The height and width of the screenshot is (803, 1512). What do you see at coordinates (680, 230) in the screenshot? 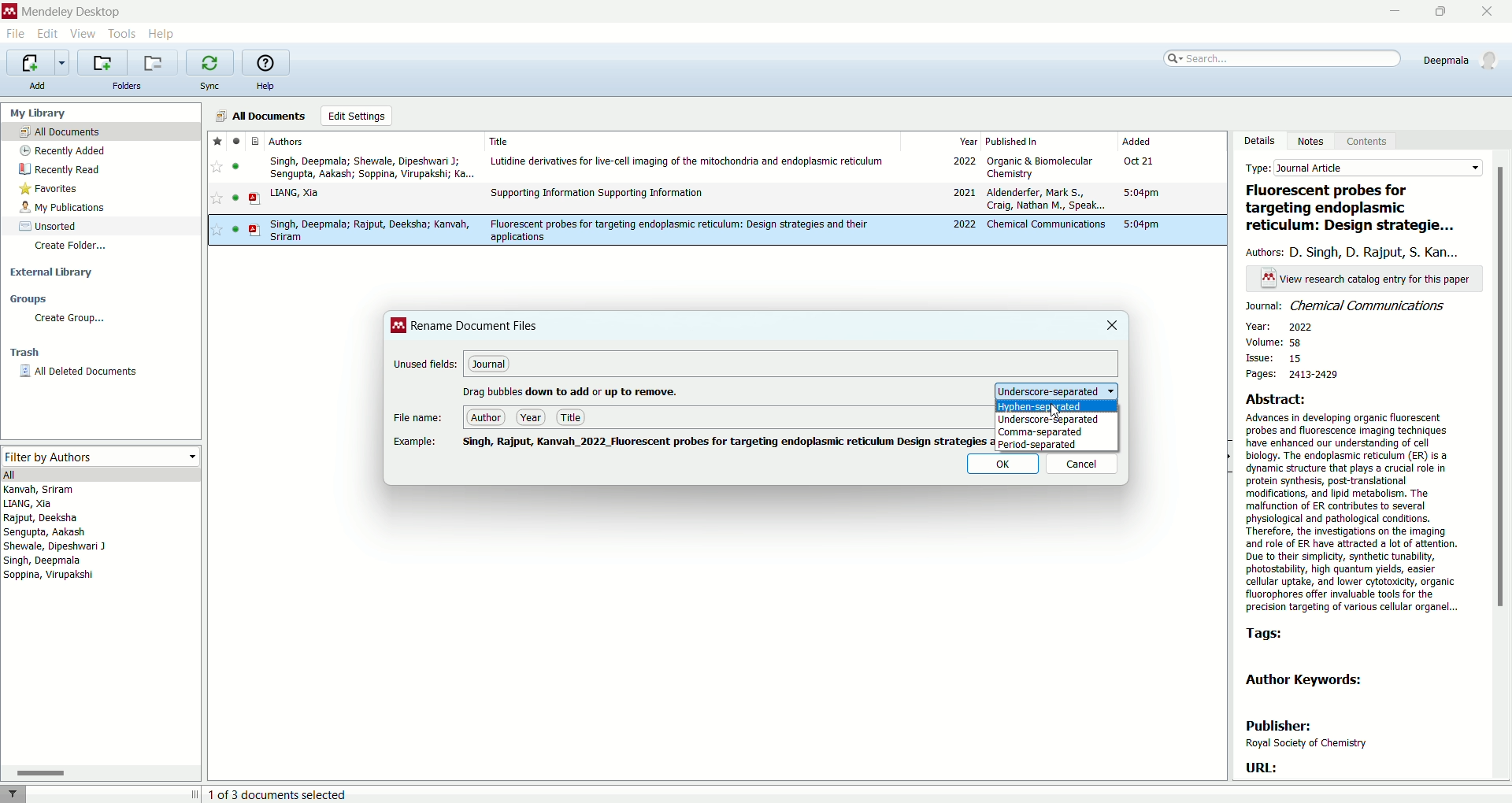
I see `Fluorescent probes for targeting endoplasmic reticulum: Design strategies and their applications` at bounding box center [680, 230].